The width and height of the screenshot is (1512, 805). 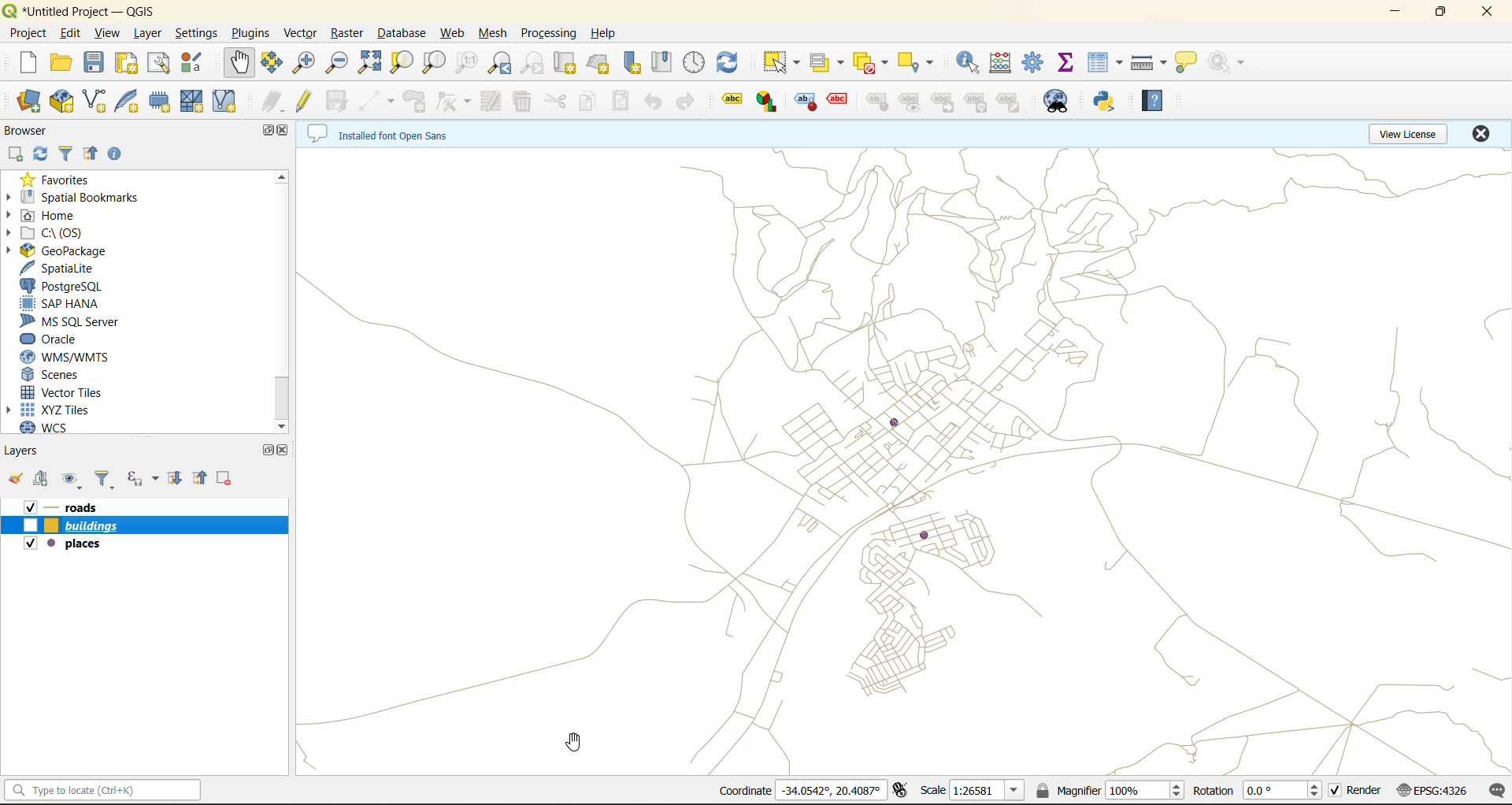 What do you see at coordinates (879, 101) in the screenshot?
I see `Label Placement` at bounding box center [879, 101].